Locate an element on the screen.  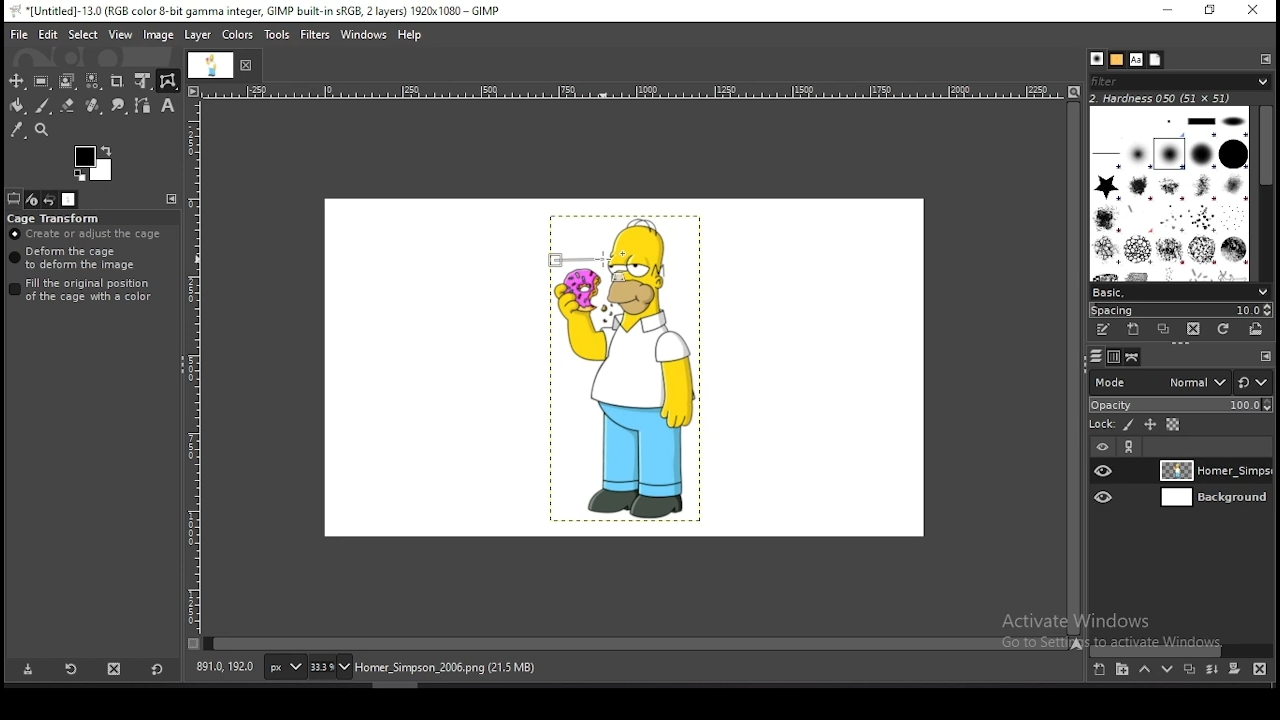
help is located at coordinates (410, 35).